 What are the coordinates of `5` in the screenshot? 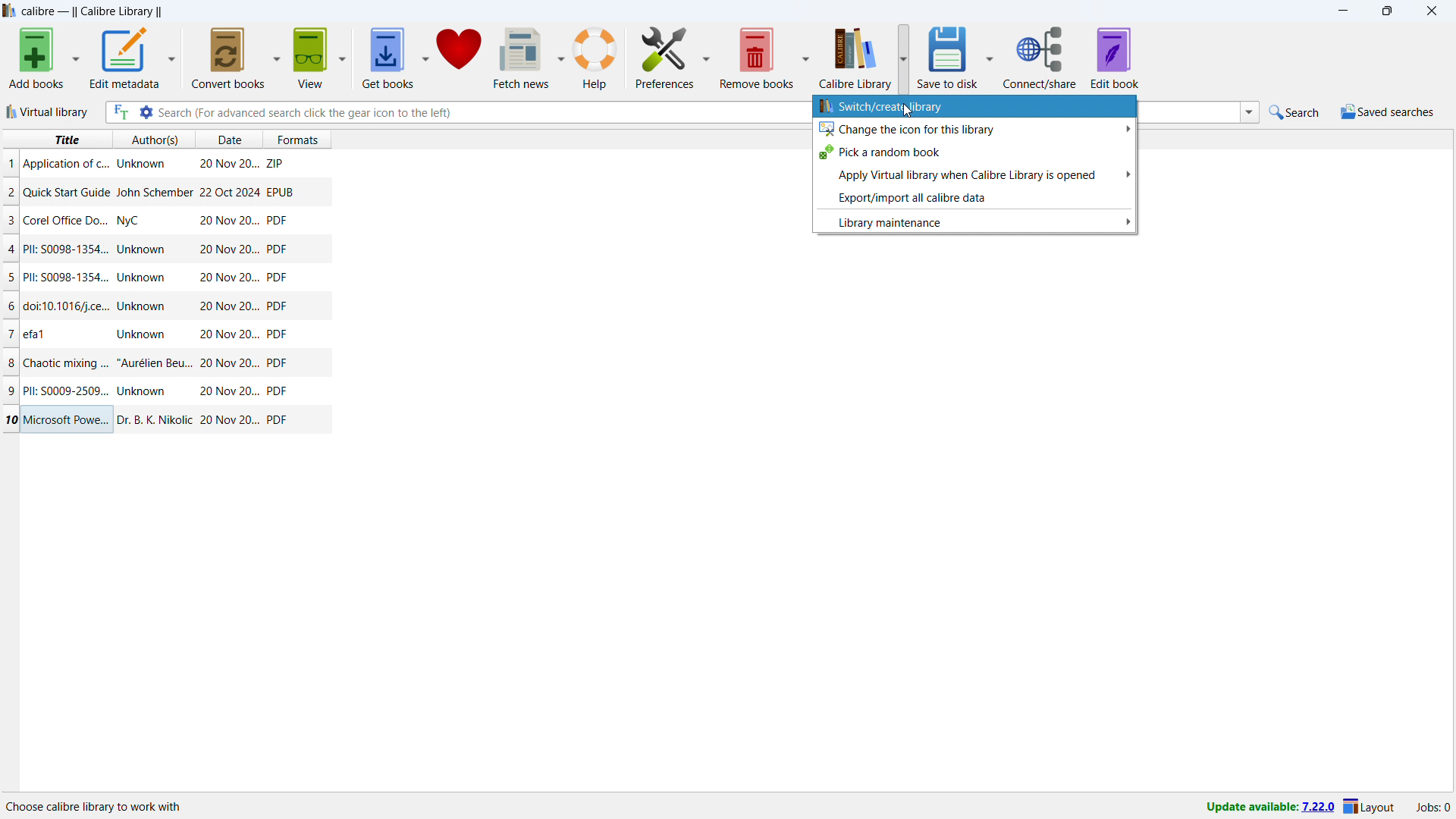 It's located at (11, 278).